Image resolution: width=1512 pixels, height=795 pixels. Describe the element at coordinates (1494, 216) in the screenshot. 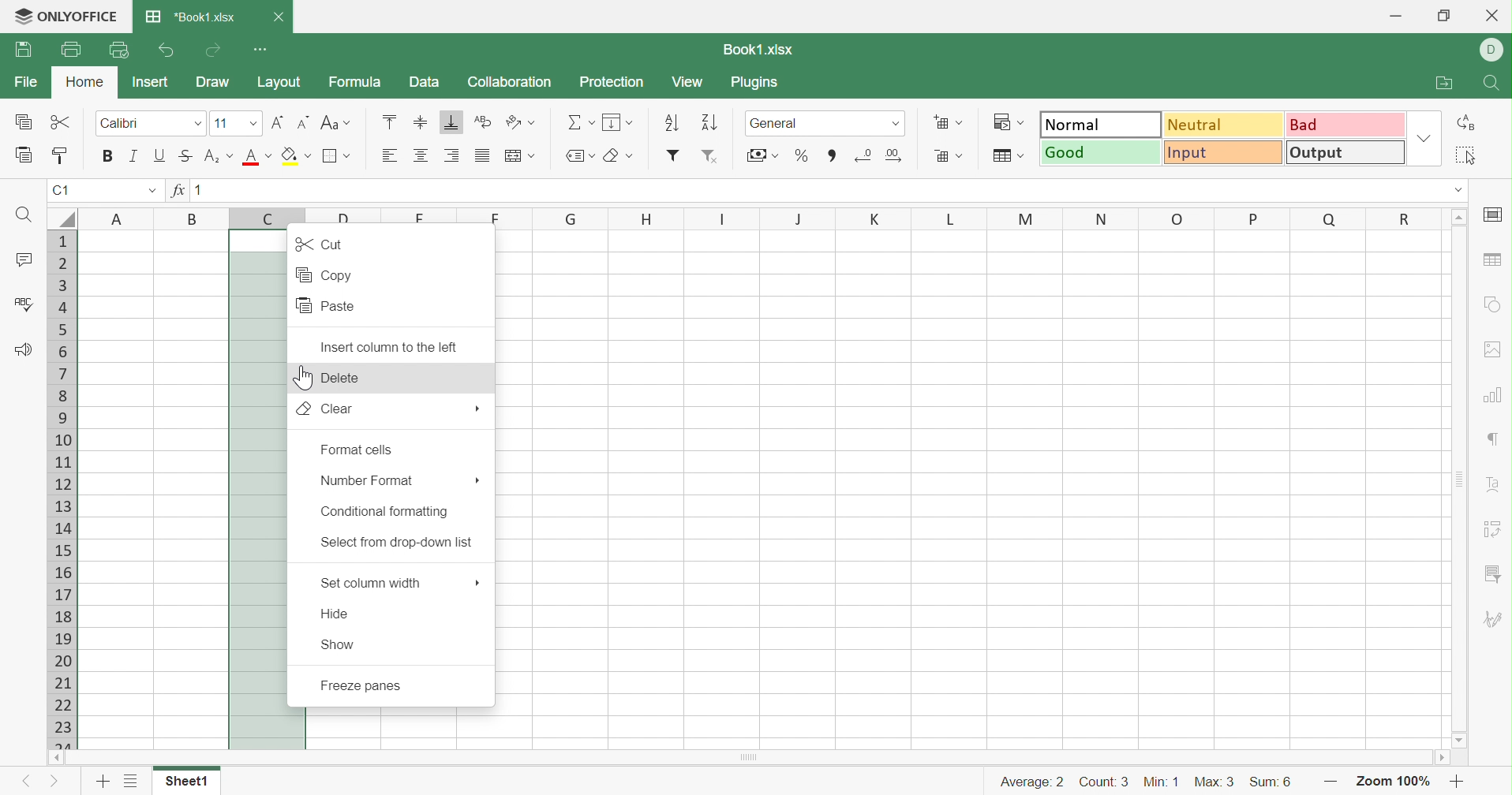

I see `Slide settings` at that location.